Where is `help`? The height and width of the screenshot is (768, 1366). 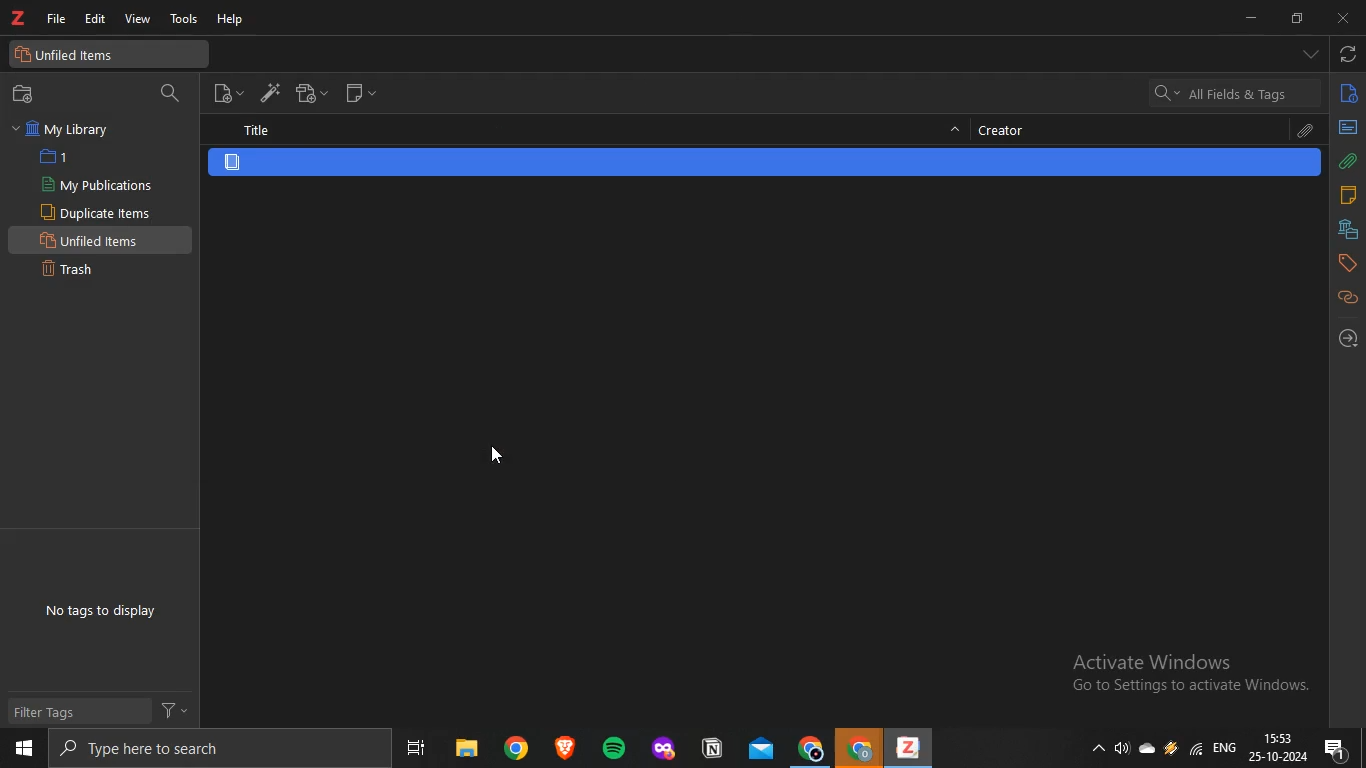
help is located at coordinates (233, 20).